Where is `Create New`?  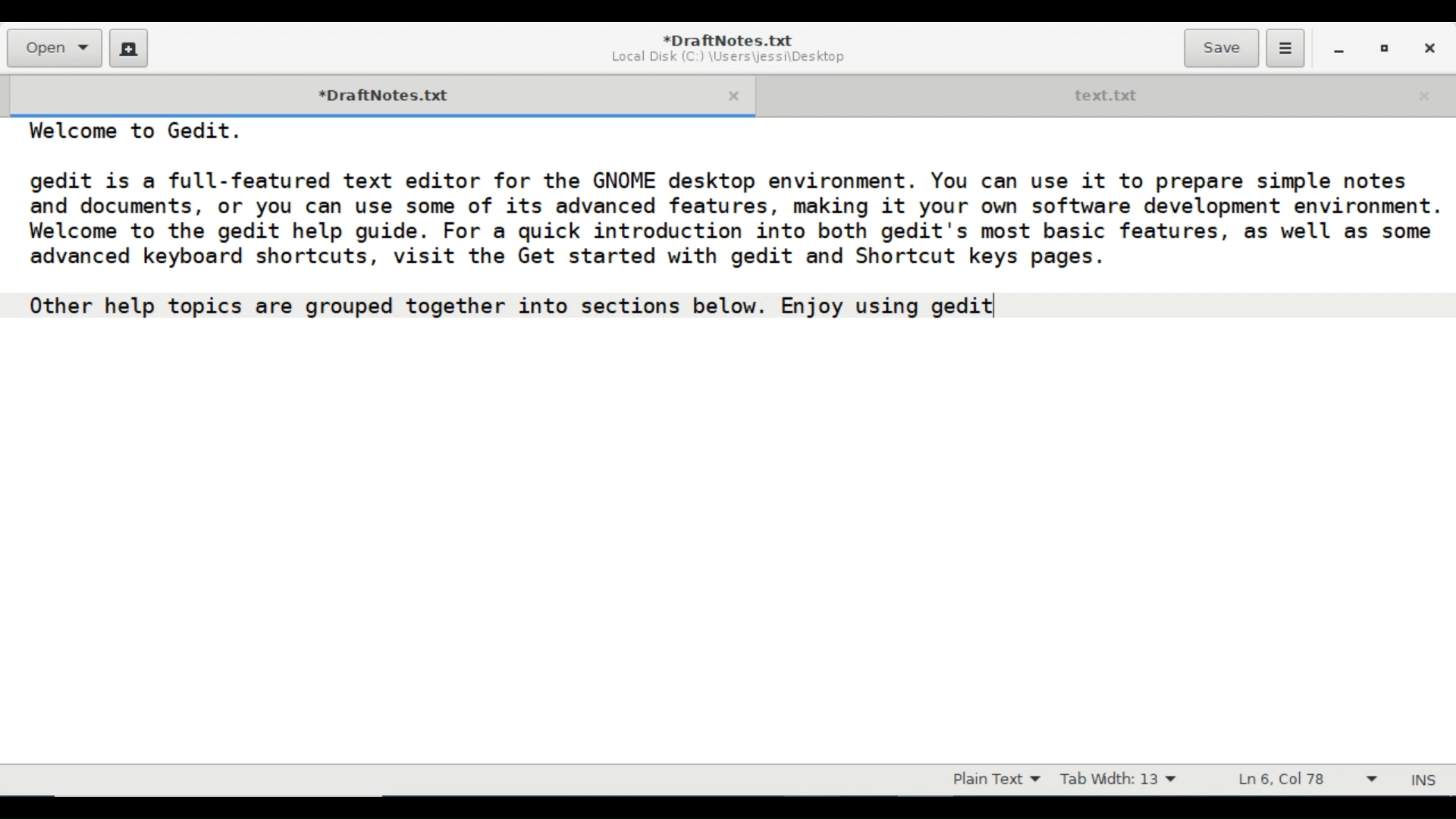
Create New is located at coordinates (129, 48).